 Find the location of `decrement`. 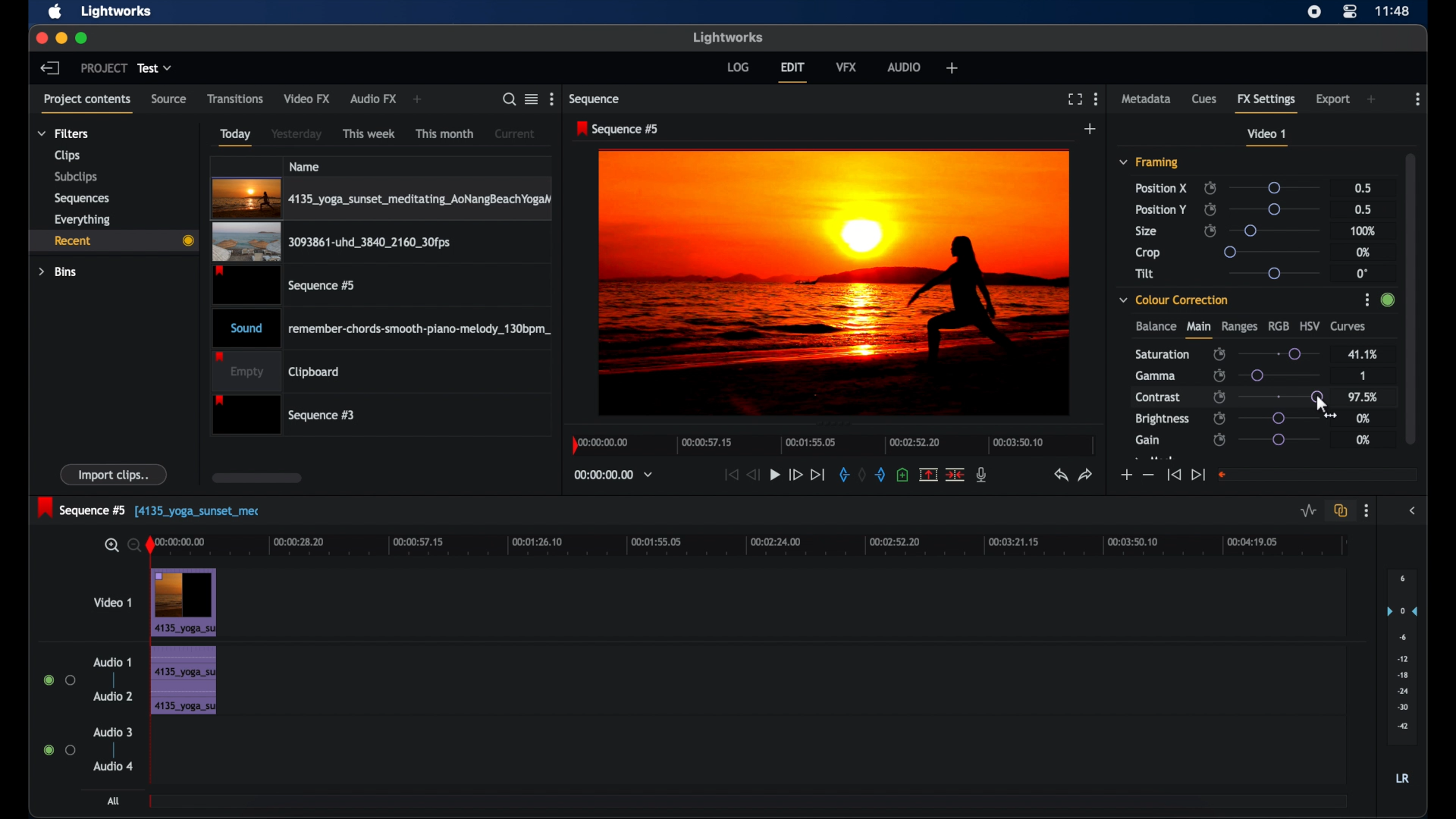

decrement is located at coordinates (1148, 475).